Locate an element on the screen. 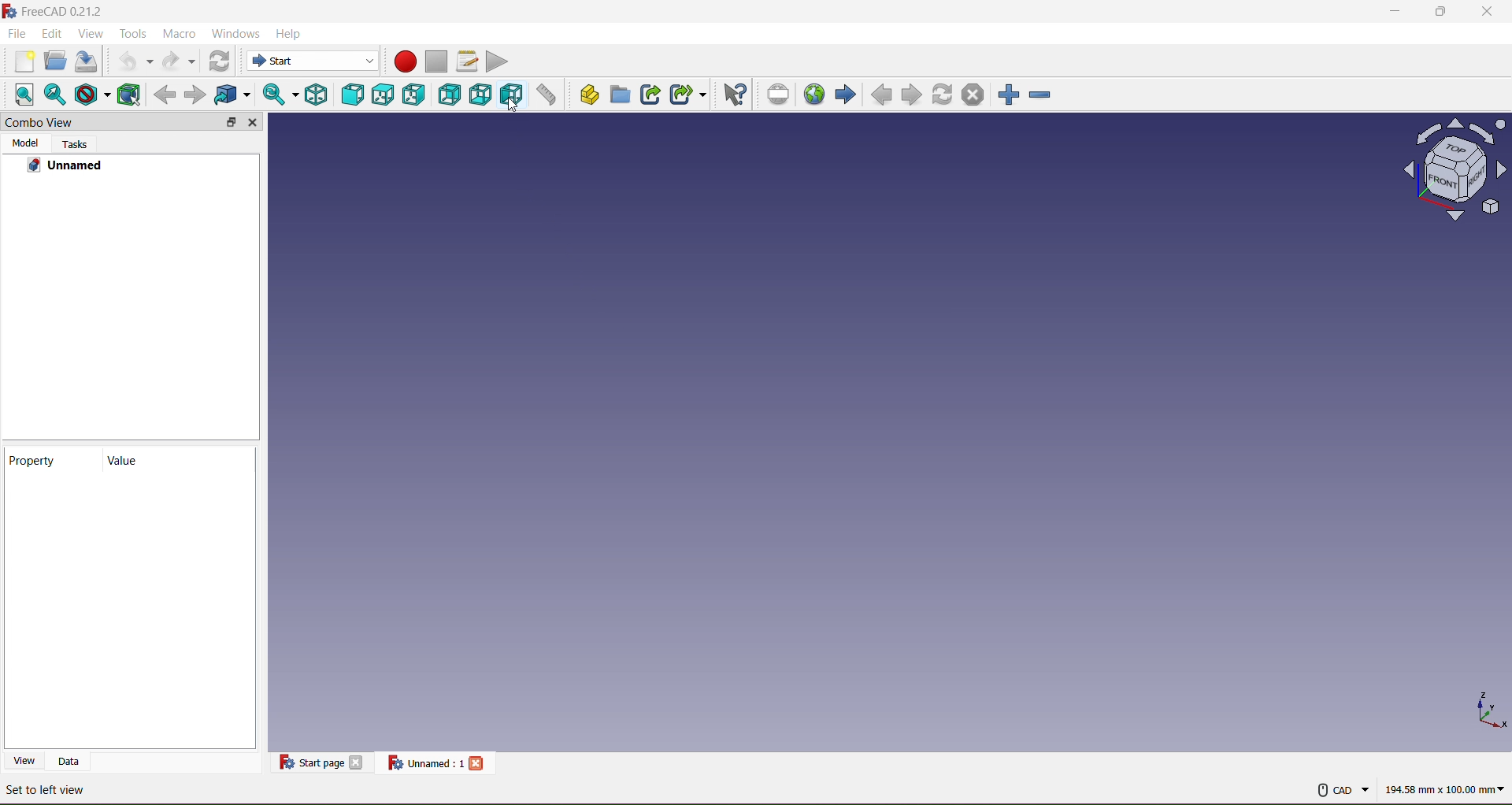 The height and width of the screenshot is (805, 1512). Create Part is located at coordinates (590, 93).